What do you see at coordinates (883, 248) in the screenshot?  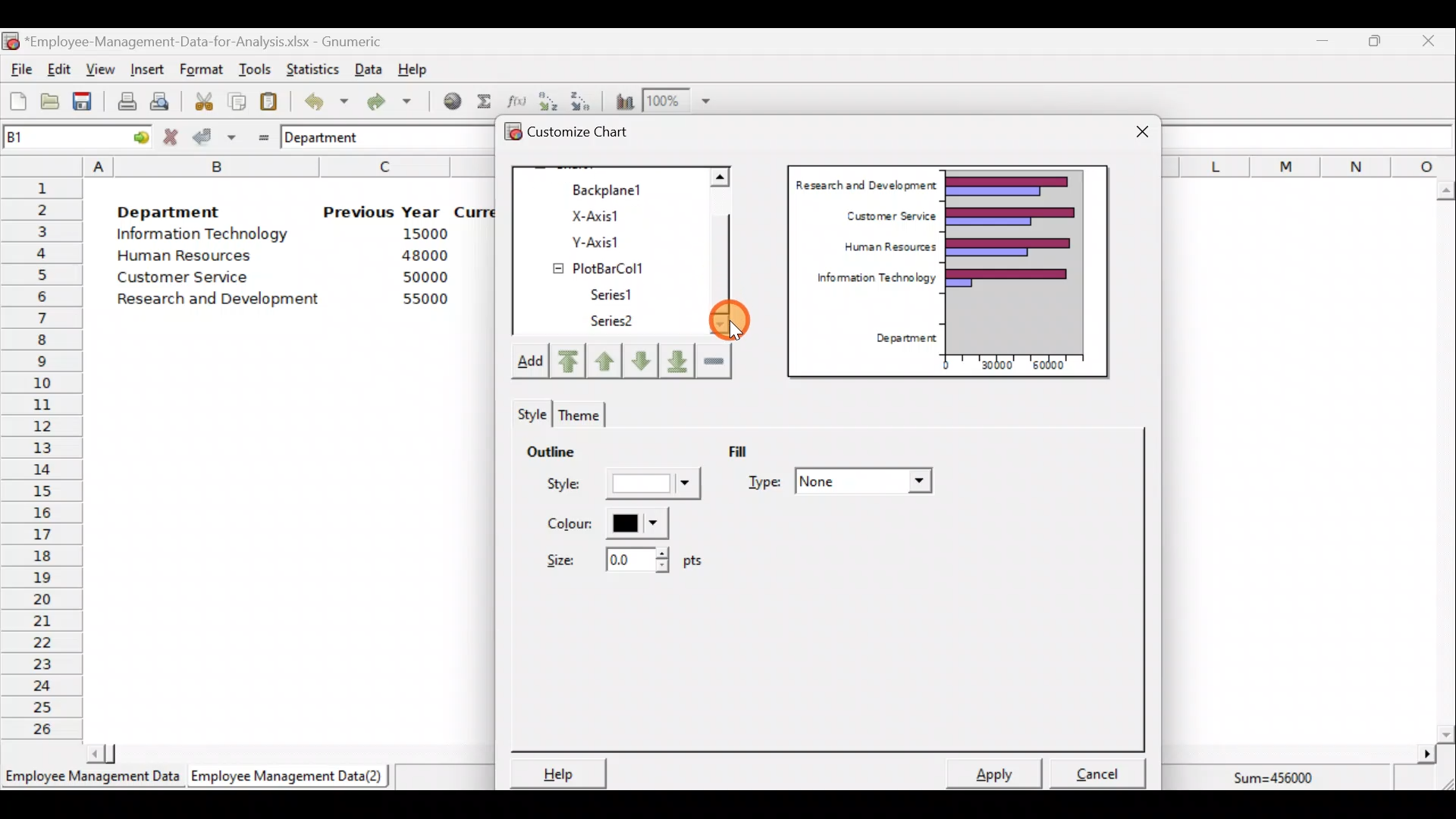 I see `Human Resources` at bounding box center [883, 248].